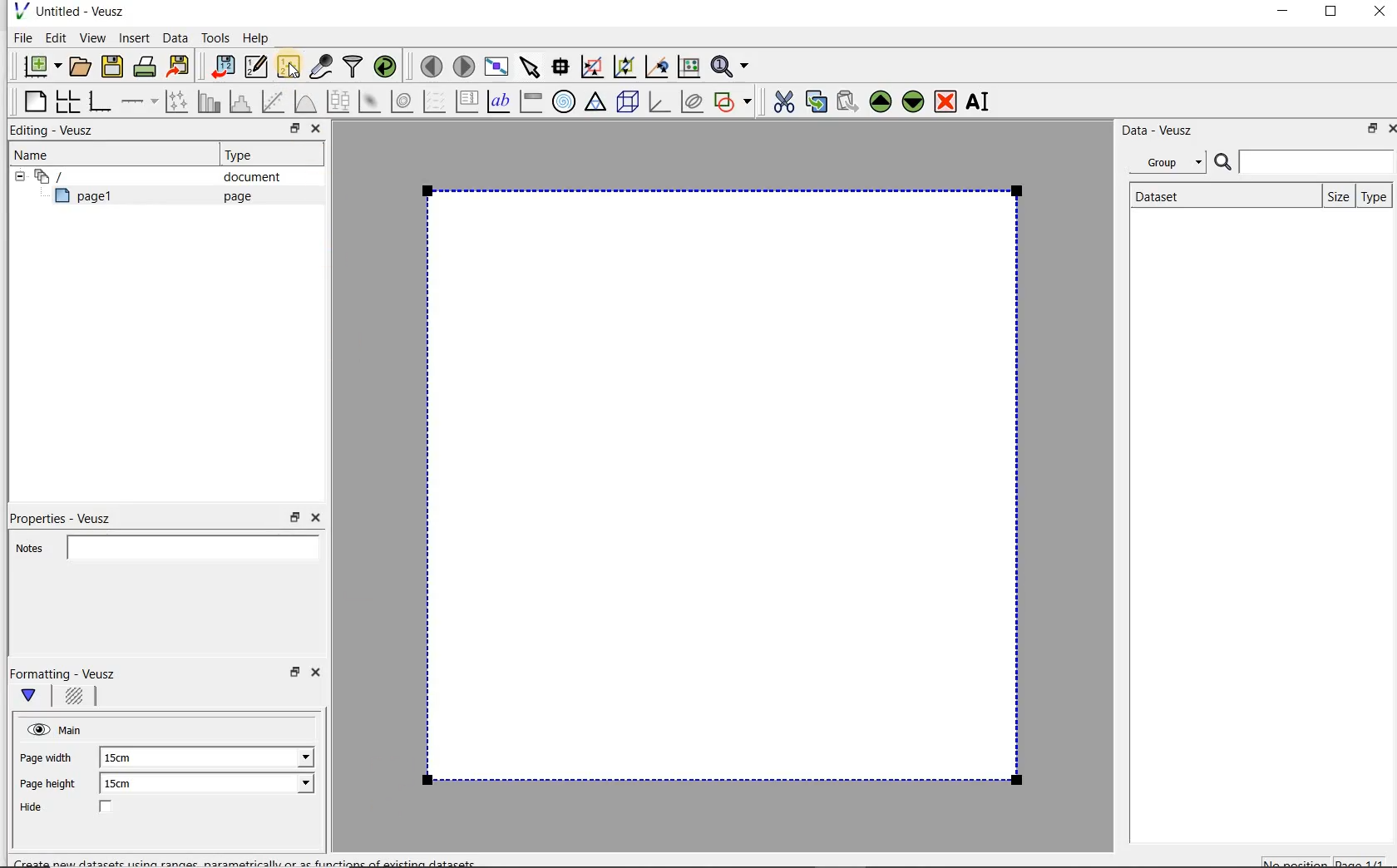 The width and height of the screenshot is (1397, 868). Describe the element at coordinates (353, 68) in the screenshot. I see `filter data` at that location.